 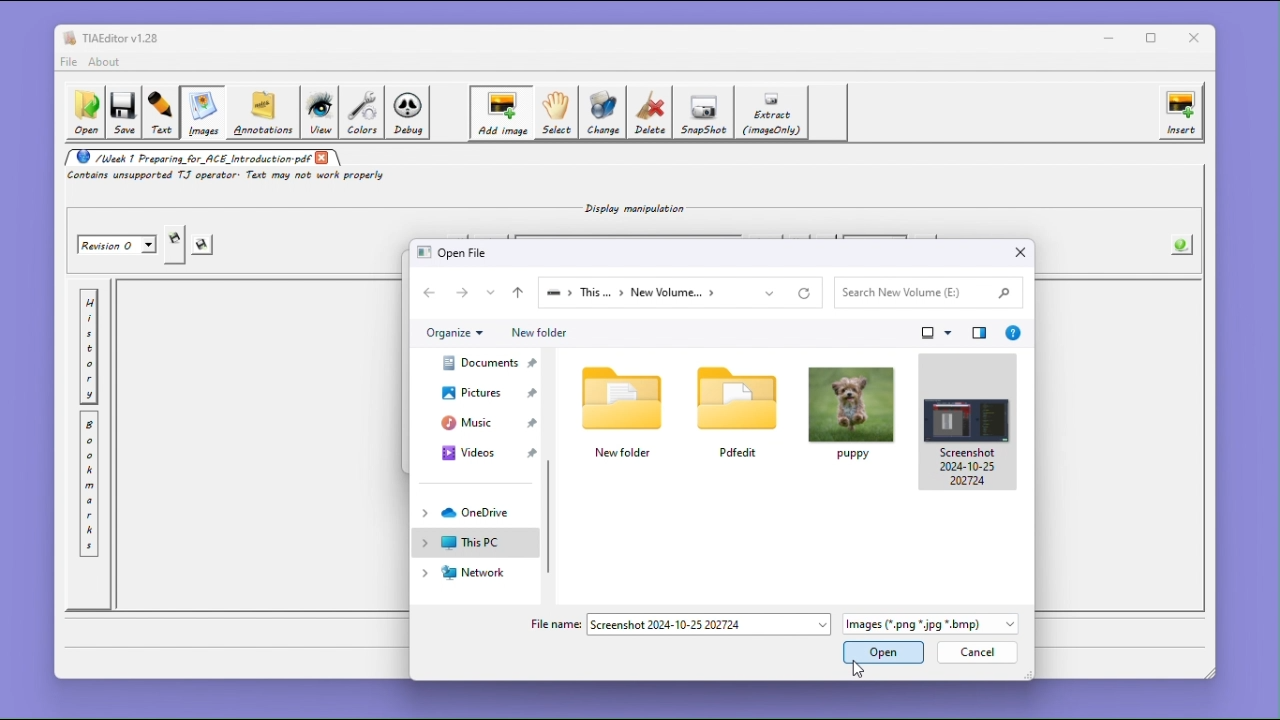 I want to click on Screenshot 2024-10-25 202724, so click(x=709, y=625).